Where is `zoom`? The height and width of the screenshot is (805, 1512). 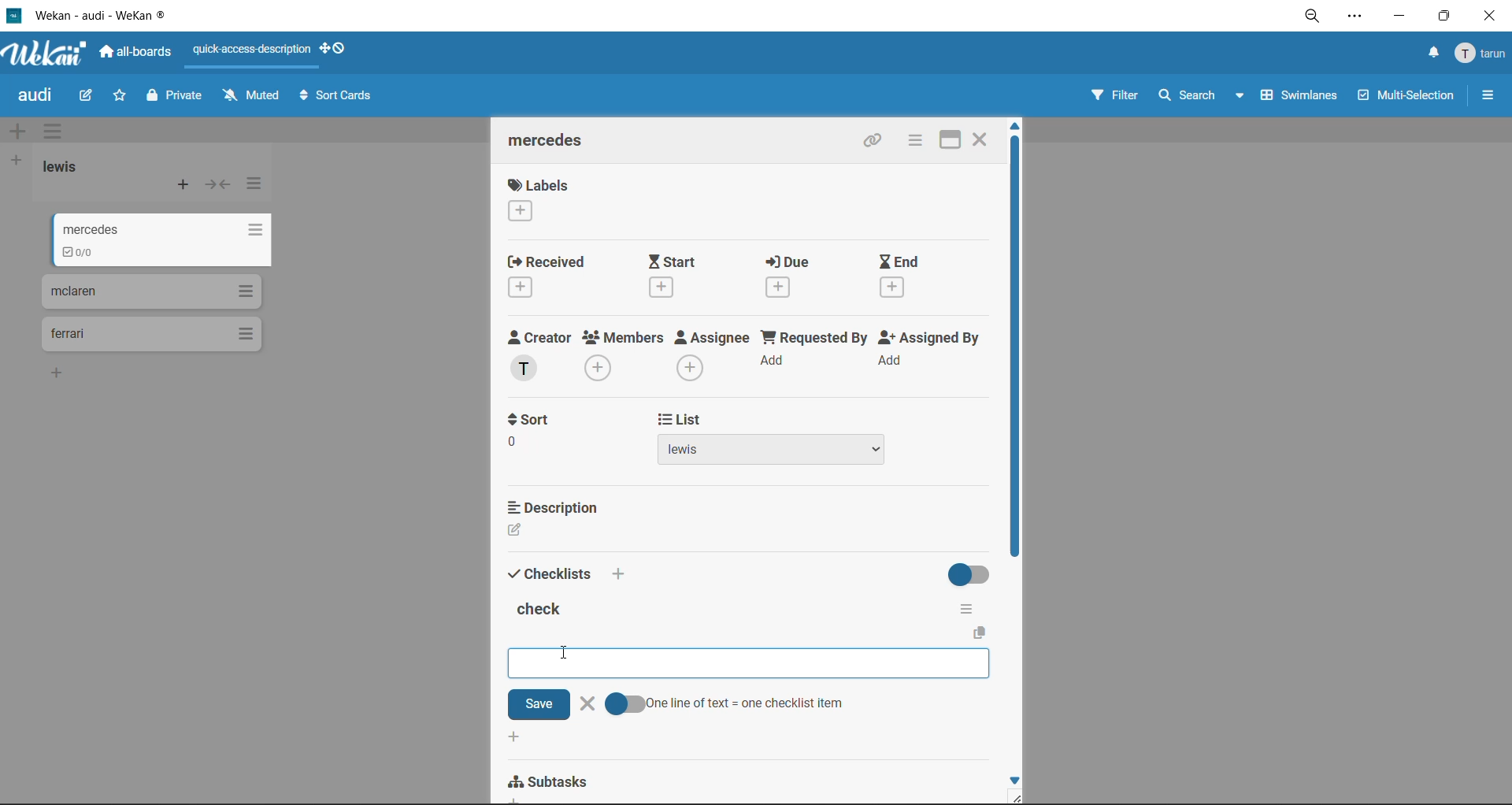
zoom is located at coordinates (1318, 20).